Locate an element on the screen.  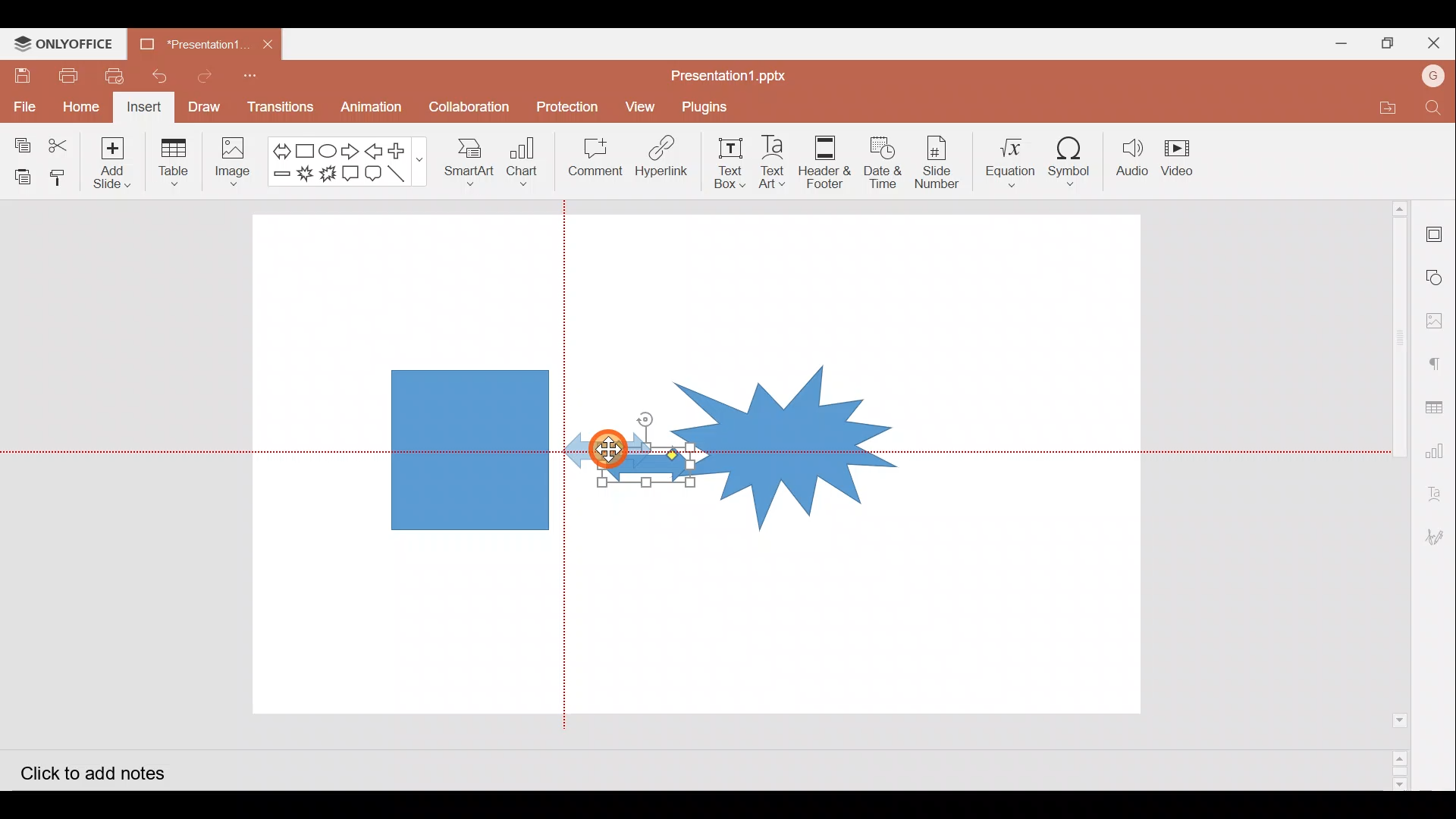
Left arrow is located at coordinates (377, 151).